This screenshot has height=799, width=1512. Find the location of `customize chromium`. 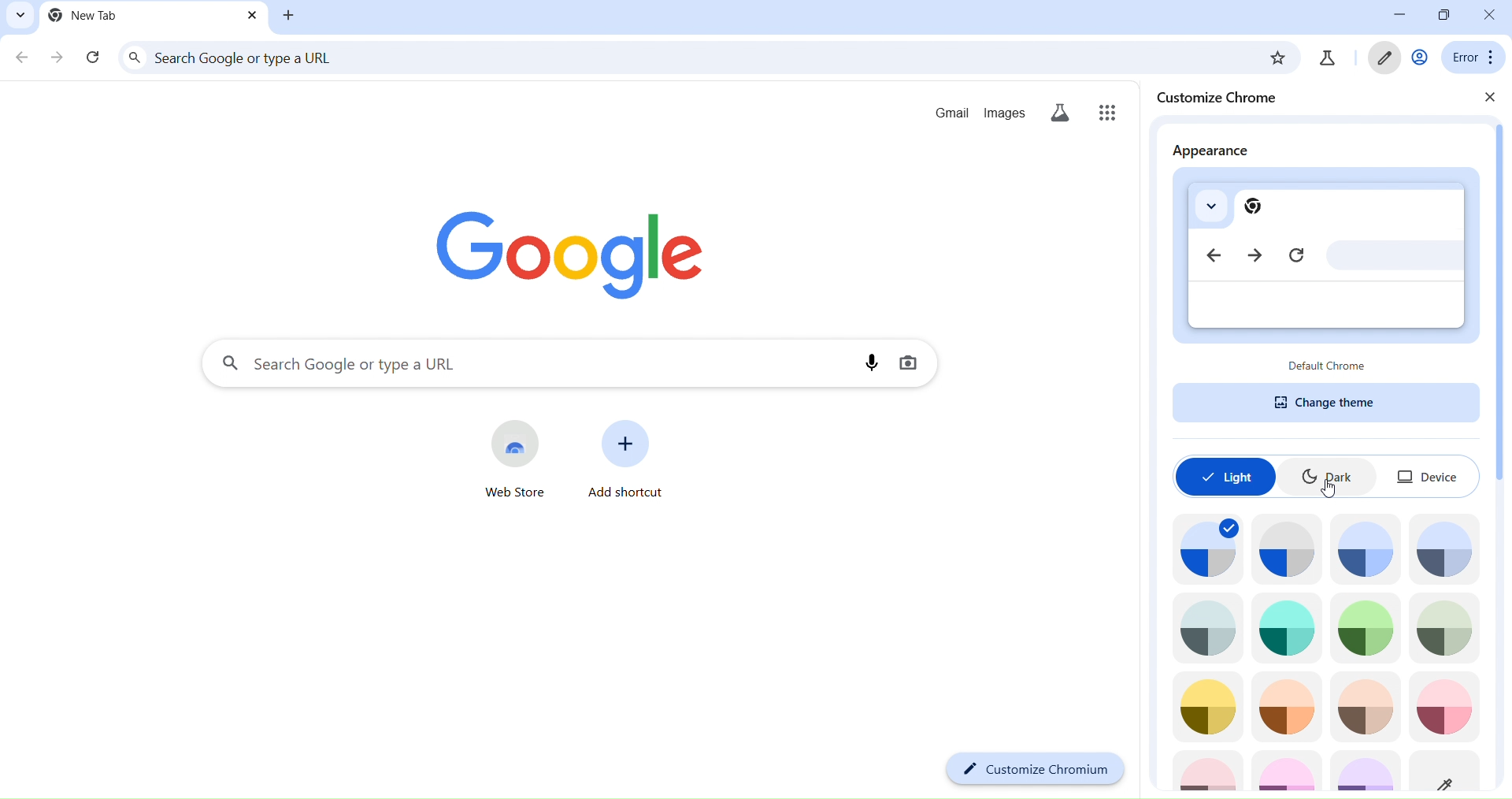

customize chromium is located at coordinates (1036, 769).